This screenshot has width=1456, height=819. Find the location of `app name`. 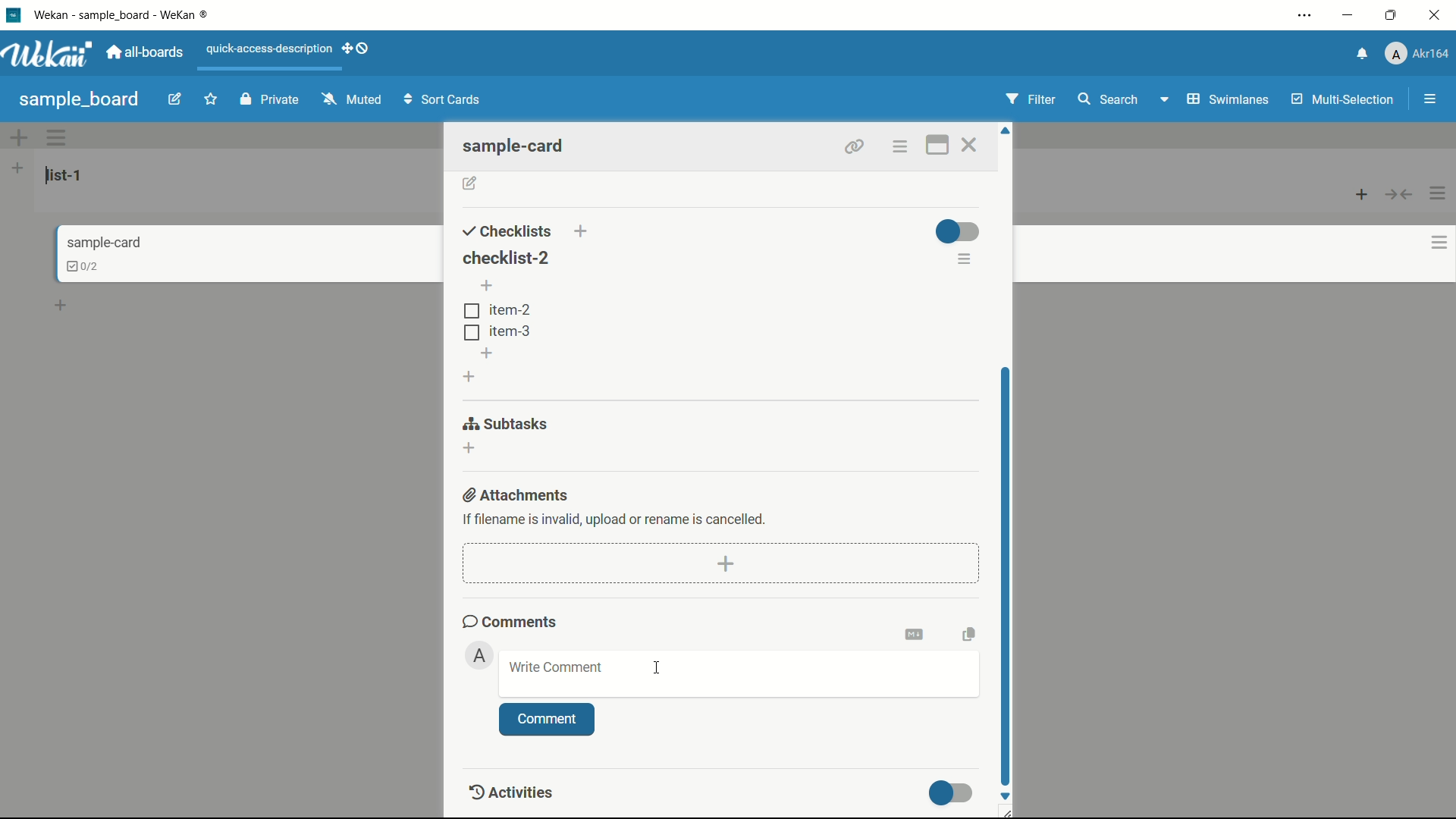

app name is located at coordinates (131, 14).